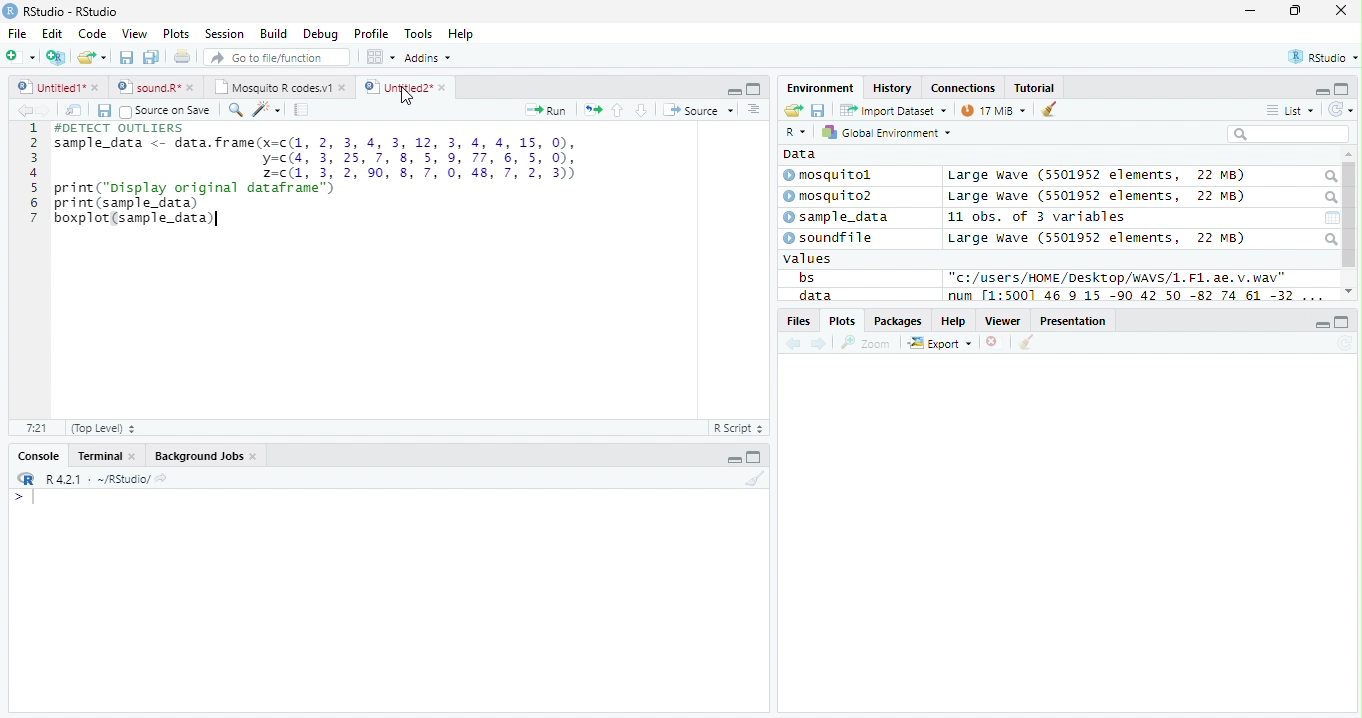 This screenshot has height=718, width=1362. Describe the element at coordinates (177, 34) in the screenshot. I see `Plots` at that location.